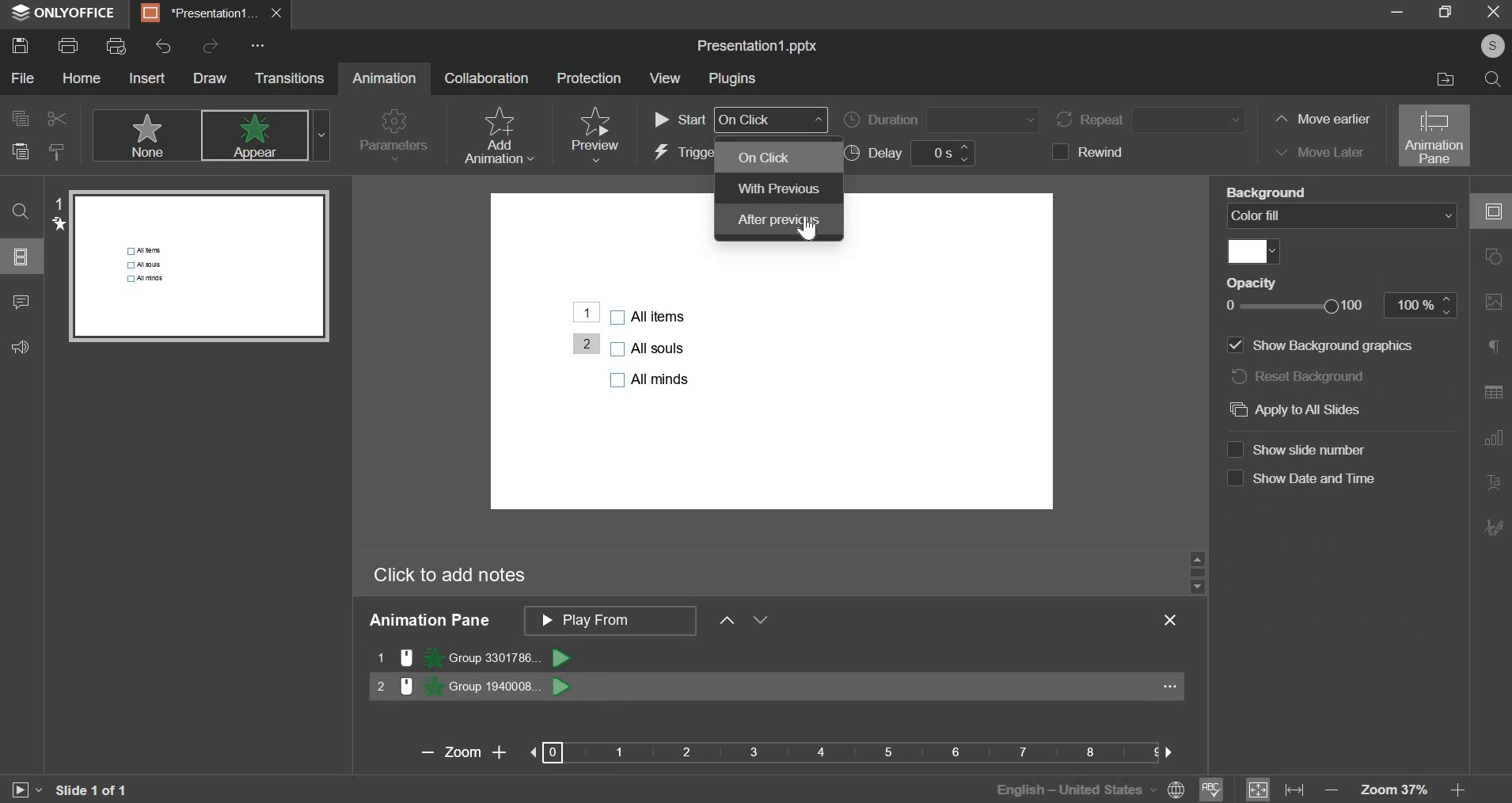 This screenshot has width=1512, height=803. What do you see at coordinates (115, 46) in the screenshot?
I see `print preview` at bounding box center [115, 46].